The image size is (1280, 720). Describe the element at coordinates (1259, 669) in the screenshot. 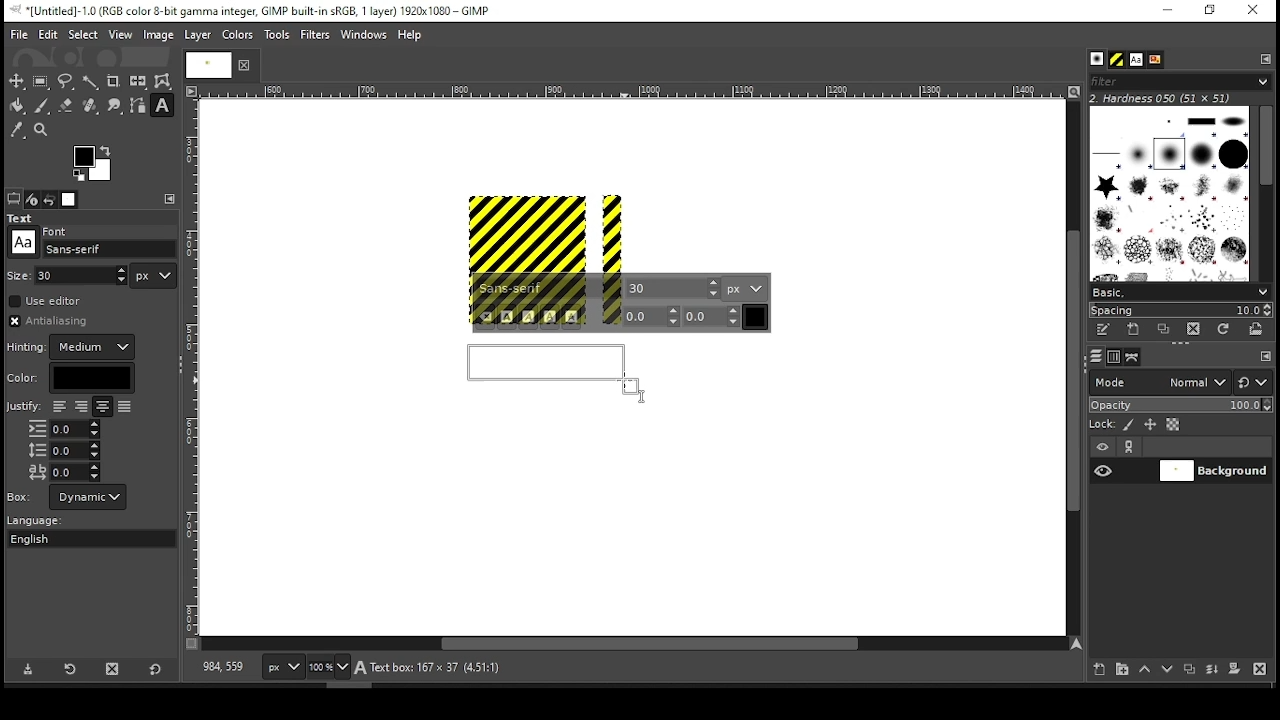

I see `delete layer` at that location.